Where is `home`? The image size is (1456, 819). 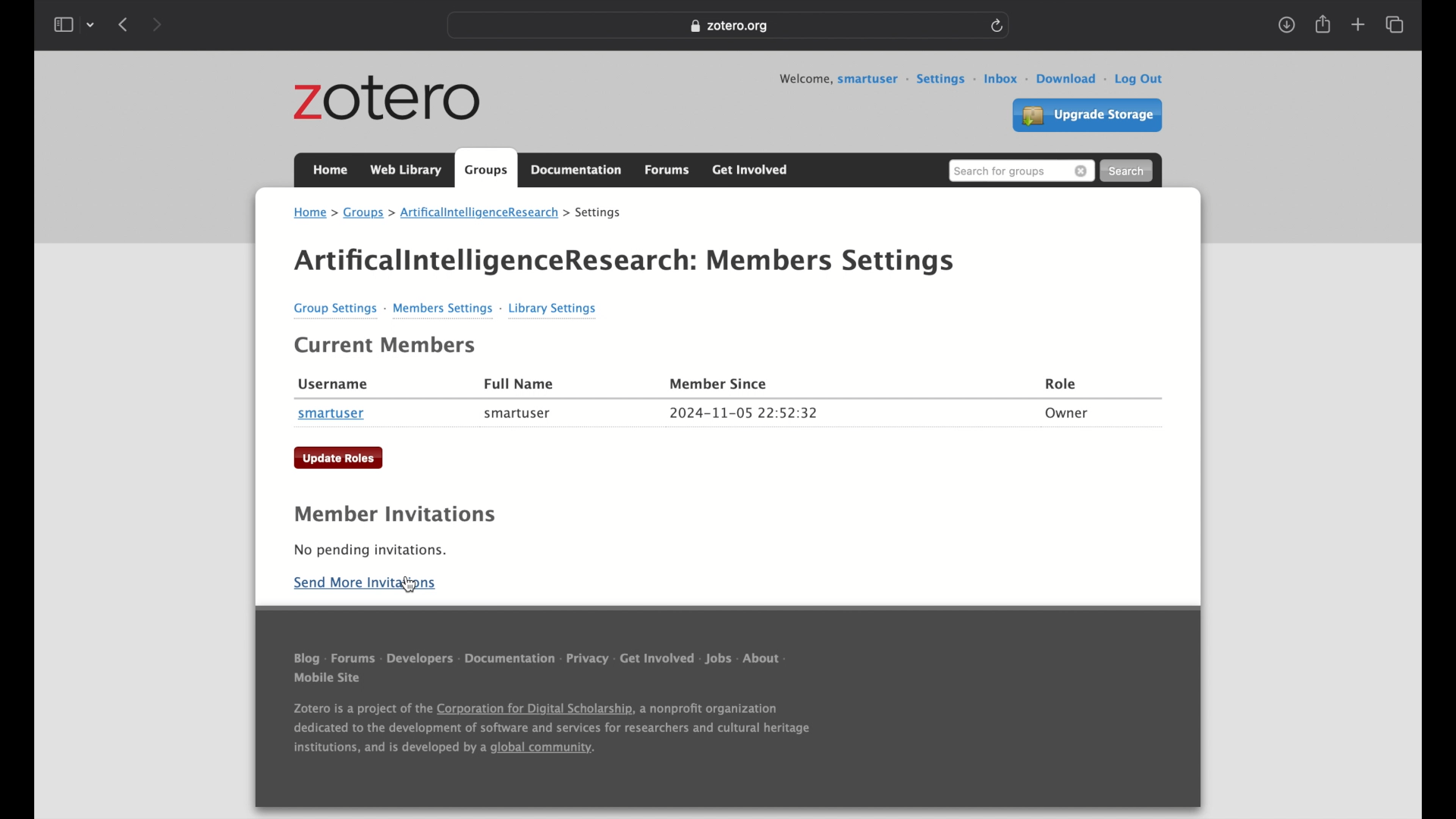
home is located at coordinates (330, 170).